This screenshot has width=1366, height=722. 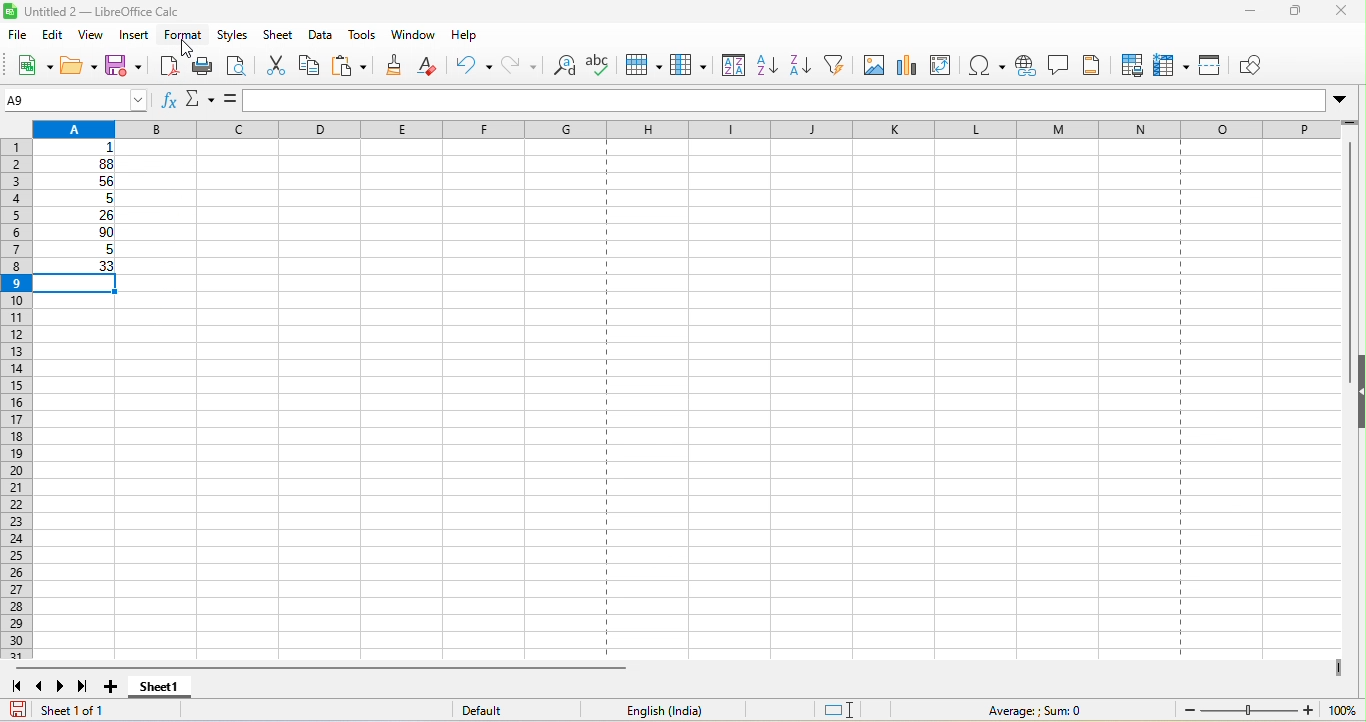 I want to click on hyperlink, so click(x=1024, y=68).